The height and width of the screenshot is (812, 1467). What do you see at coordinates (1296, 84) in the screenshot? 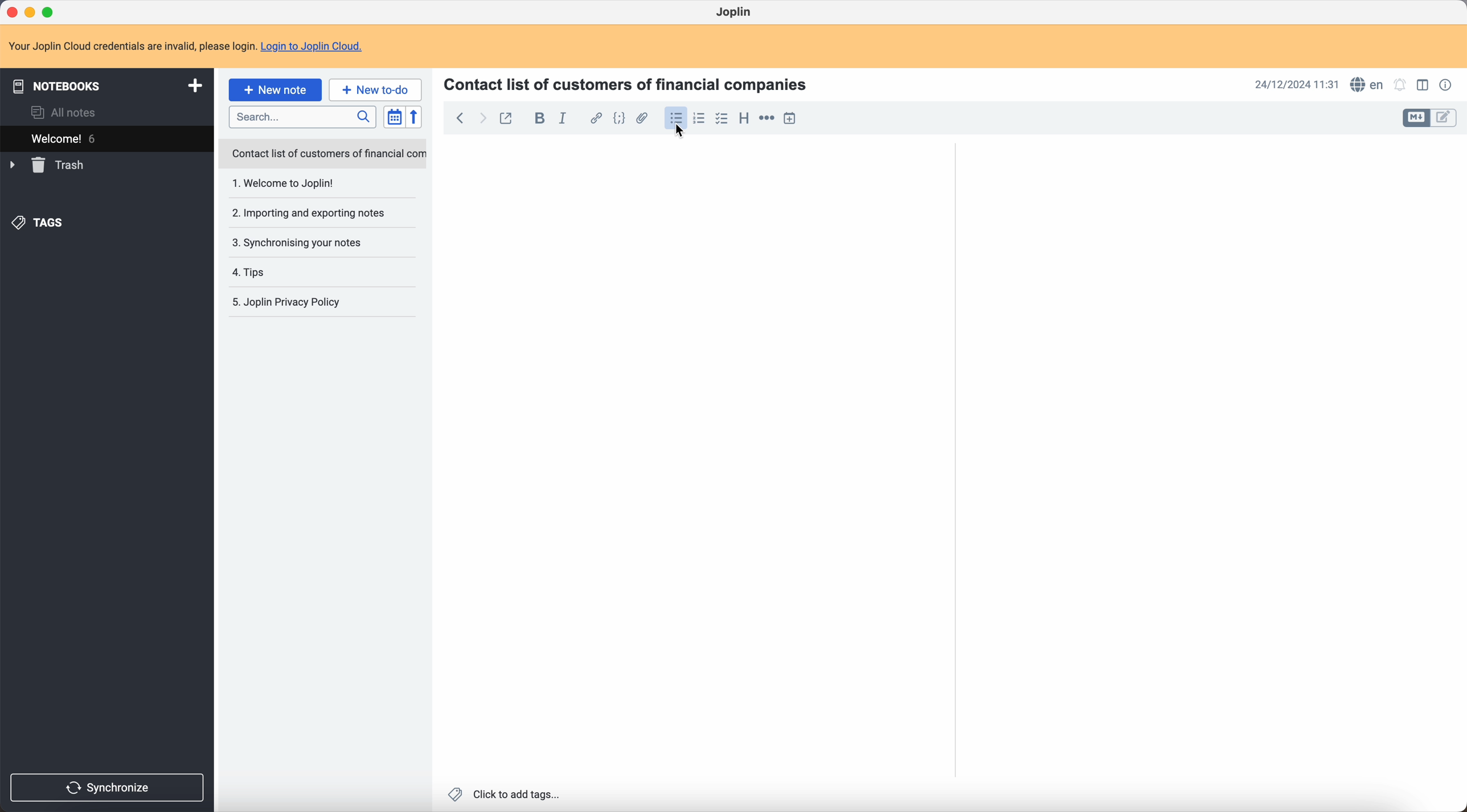
I see `date and hour` at bounding box center [1296, 84].